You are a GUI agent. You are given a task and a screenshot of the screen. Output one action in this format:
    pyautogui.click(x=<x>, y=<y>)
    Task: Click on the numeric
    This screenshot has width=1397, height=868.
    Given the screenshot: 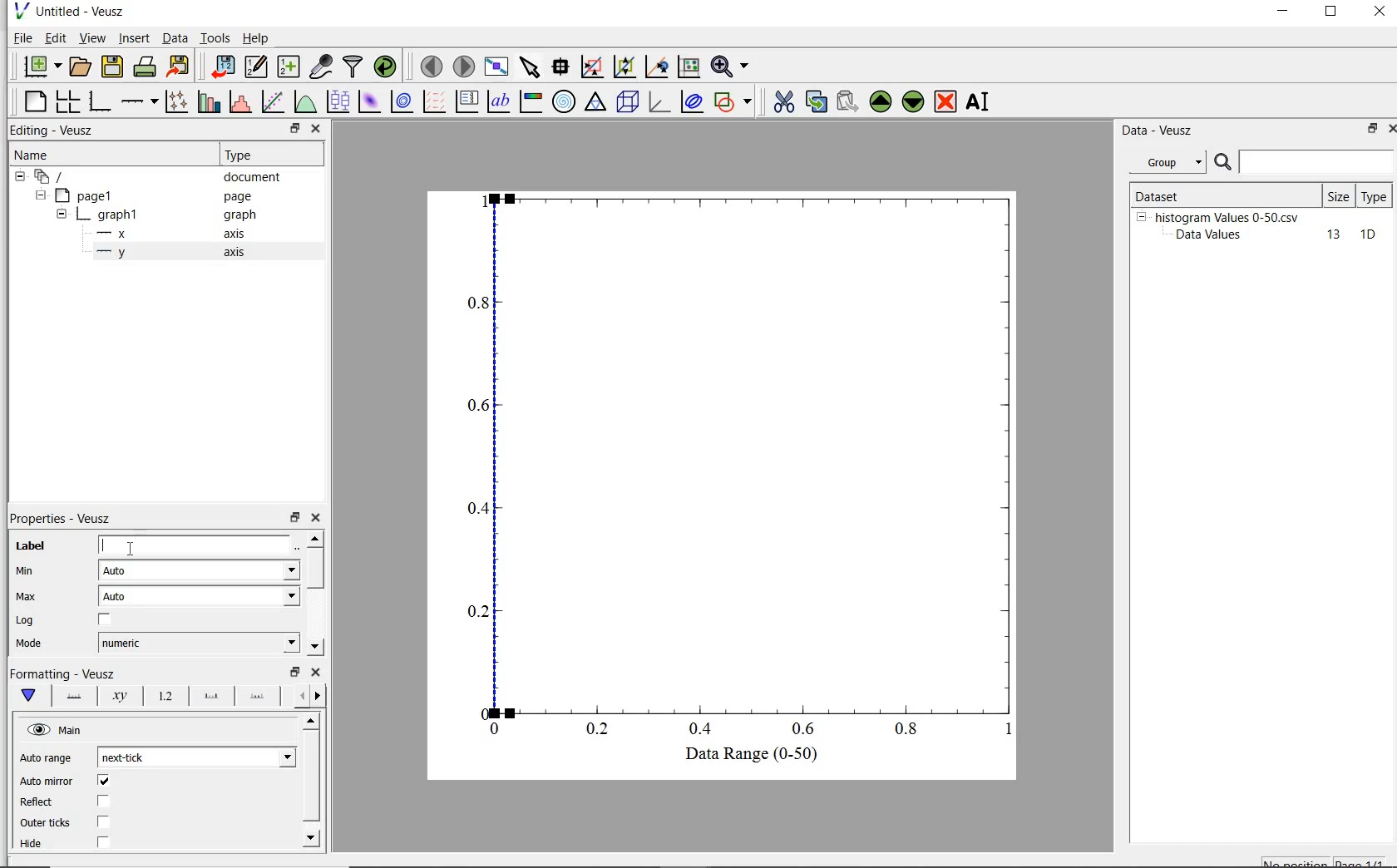 What is the action you would take?
    pyautogui.click(x=197, y=643)
    